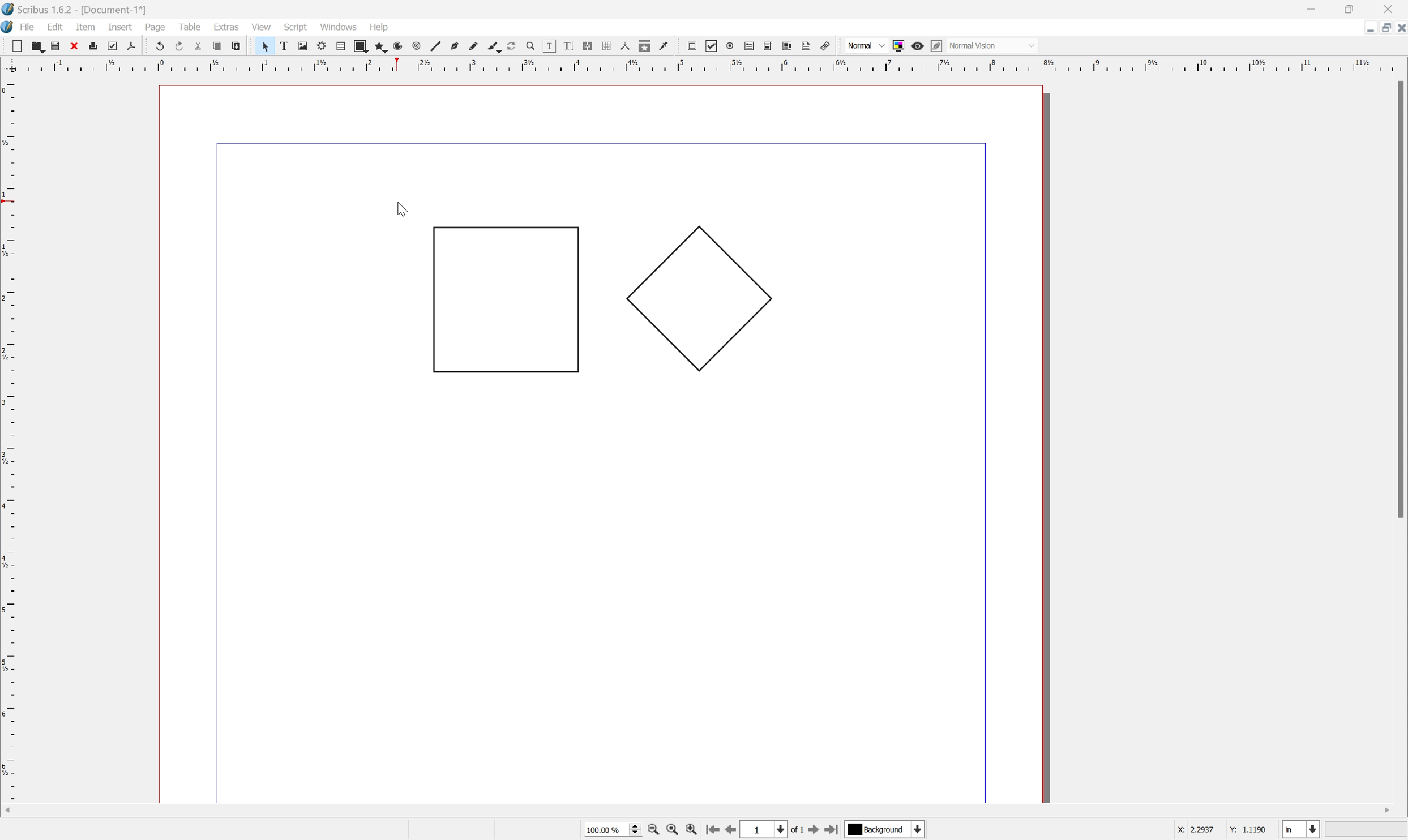 The width and height of the screenshot is (1408, 840). What do you see at coordinates (38, 45) in the screenshot?
I see `open` at bounding box center [38, 45].